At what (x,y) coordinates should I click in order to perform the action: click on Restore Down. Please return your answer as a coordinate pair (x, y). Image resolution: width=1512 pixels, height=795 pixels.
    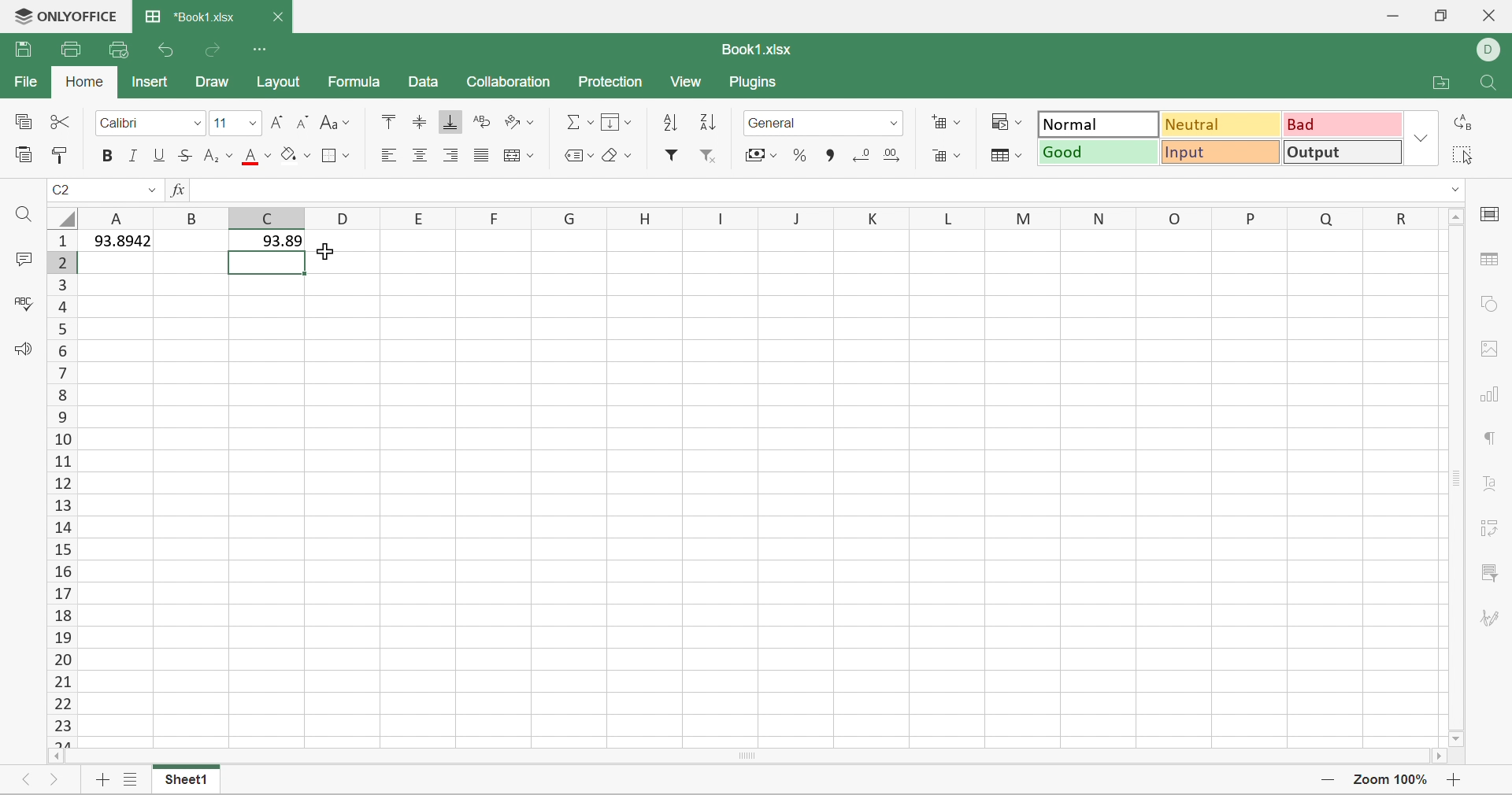
    Looking at the image, I should click on (1439, 17).